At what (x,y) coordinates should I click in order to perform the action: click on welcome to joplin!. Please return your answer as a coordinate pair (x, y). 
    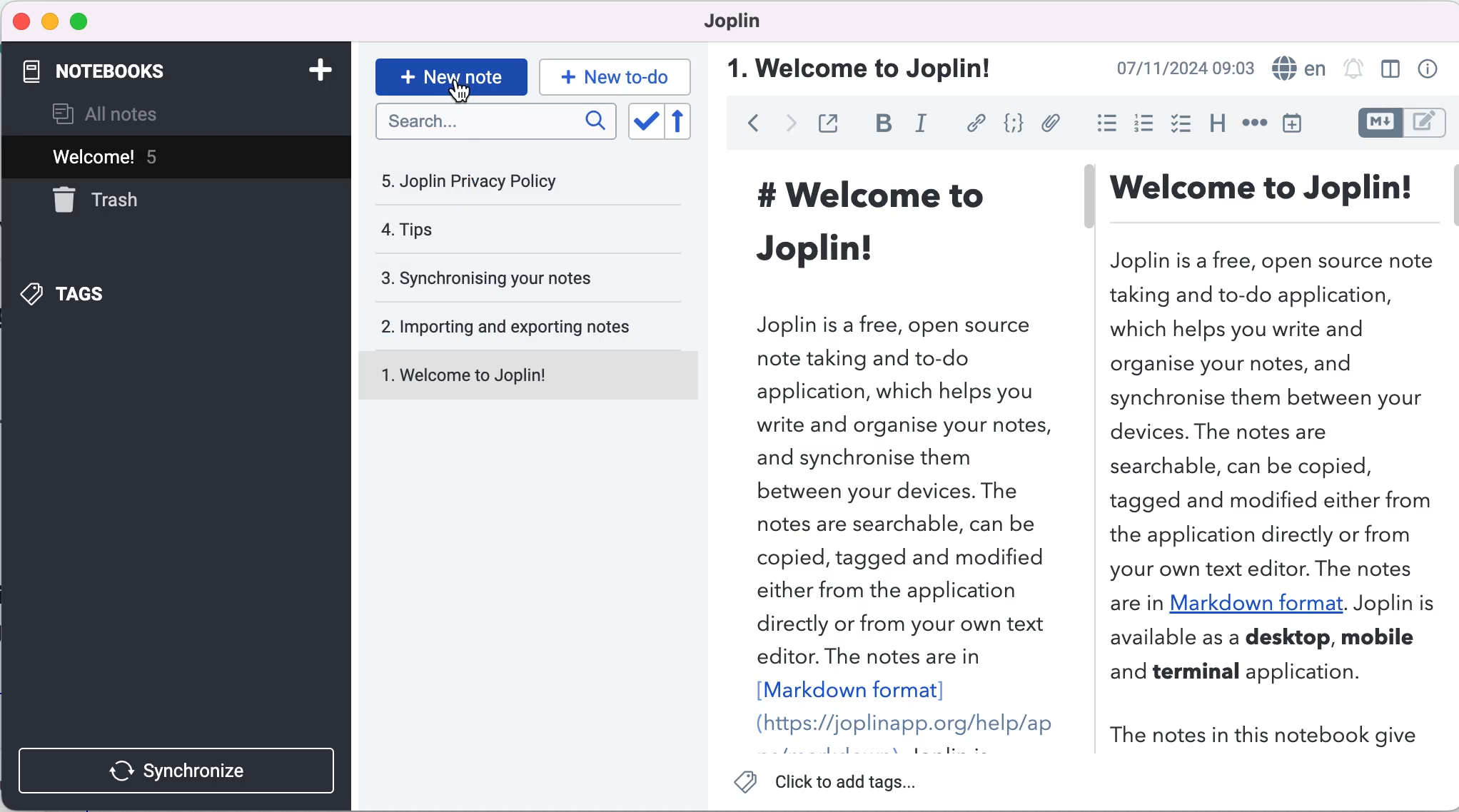
    Looking at the image, I should click on (863, 66).